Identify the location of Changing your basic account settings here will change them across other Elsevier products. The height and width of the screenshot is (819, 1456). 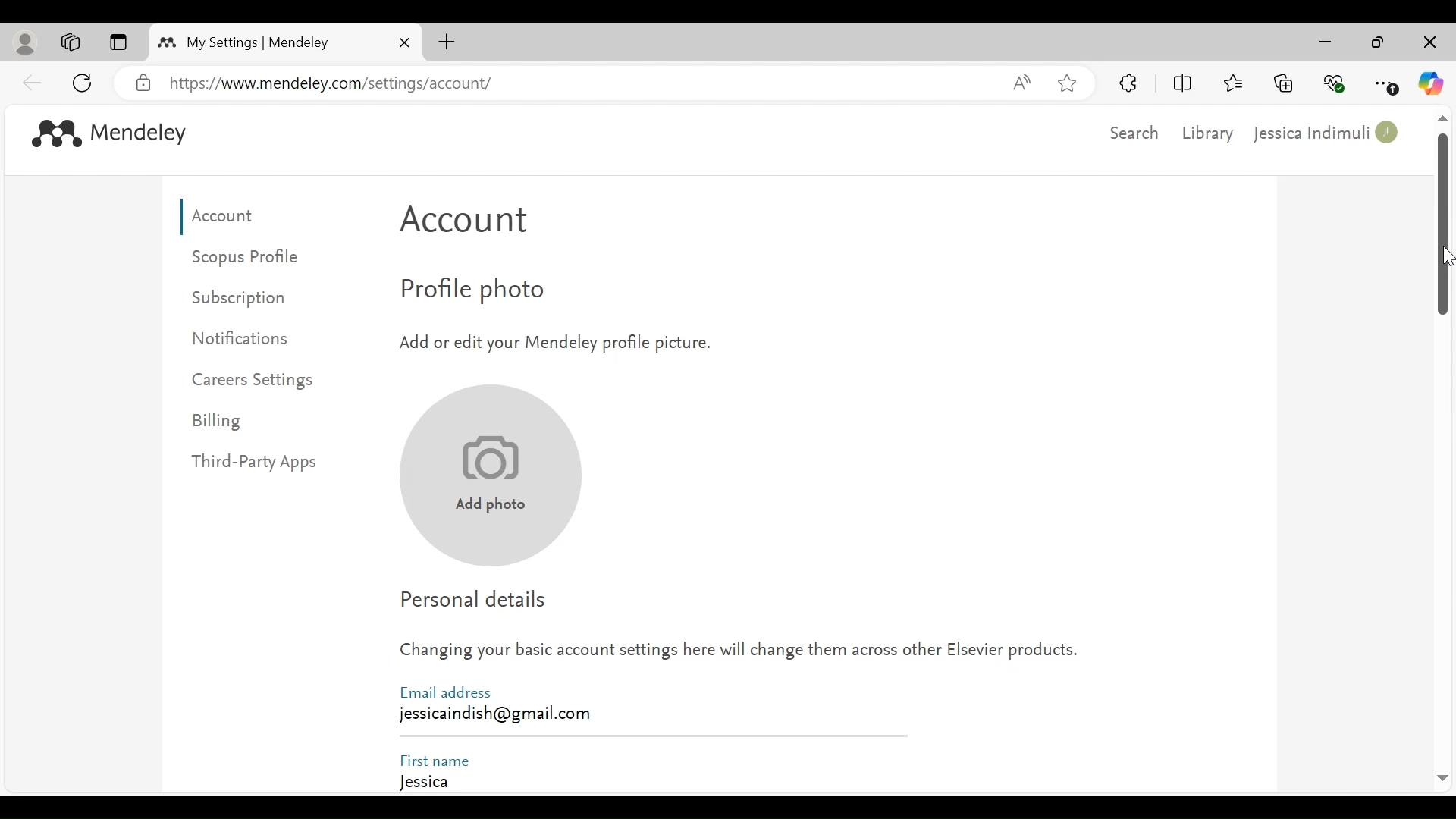
(740, 654).